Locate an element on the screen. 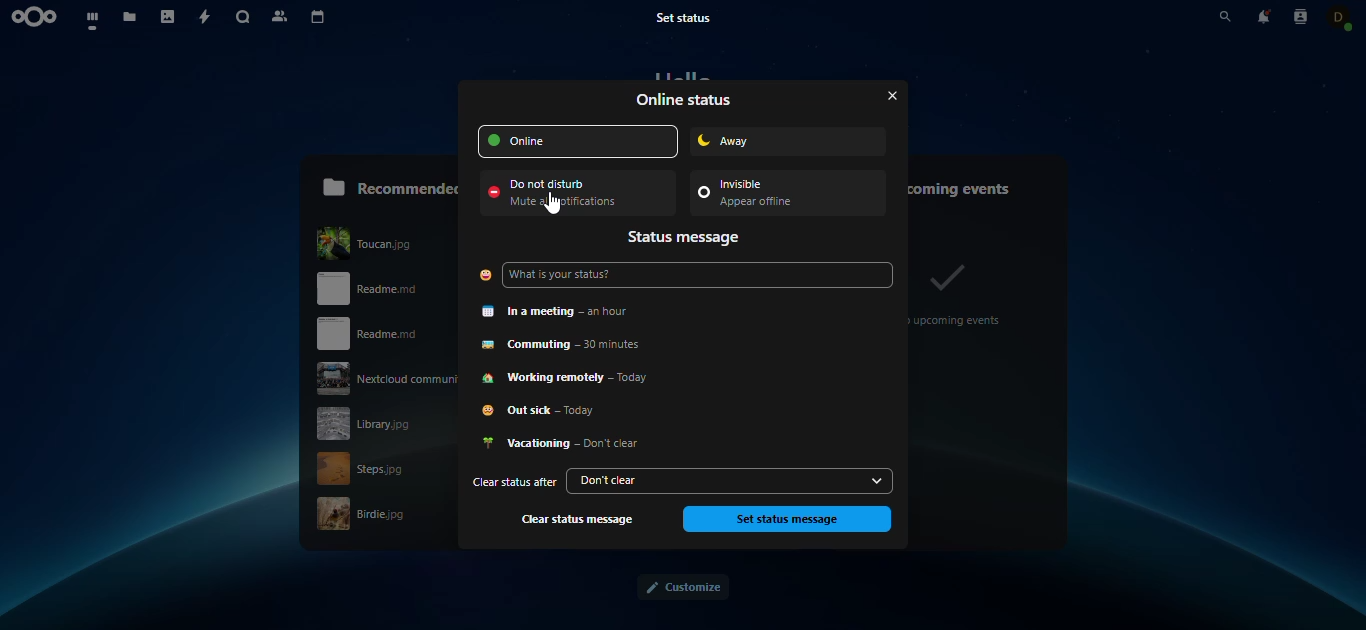  status message is located at coordinates (687, 238).